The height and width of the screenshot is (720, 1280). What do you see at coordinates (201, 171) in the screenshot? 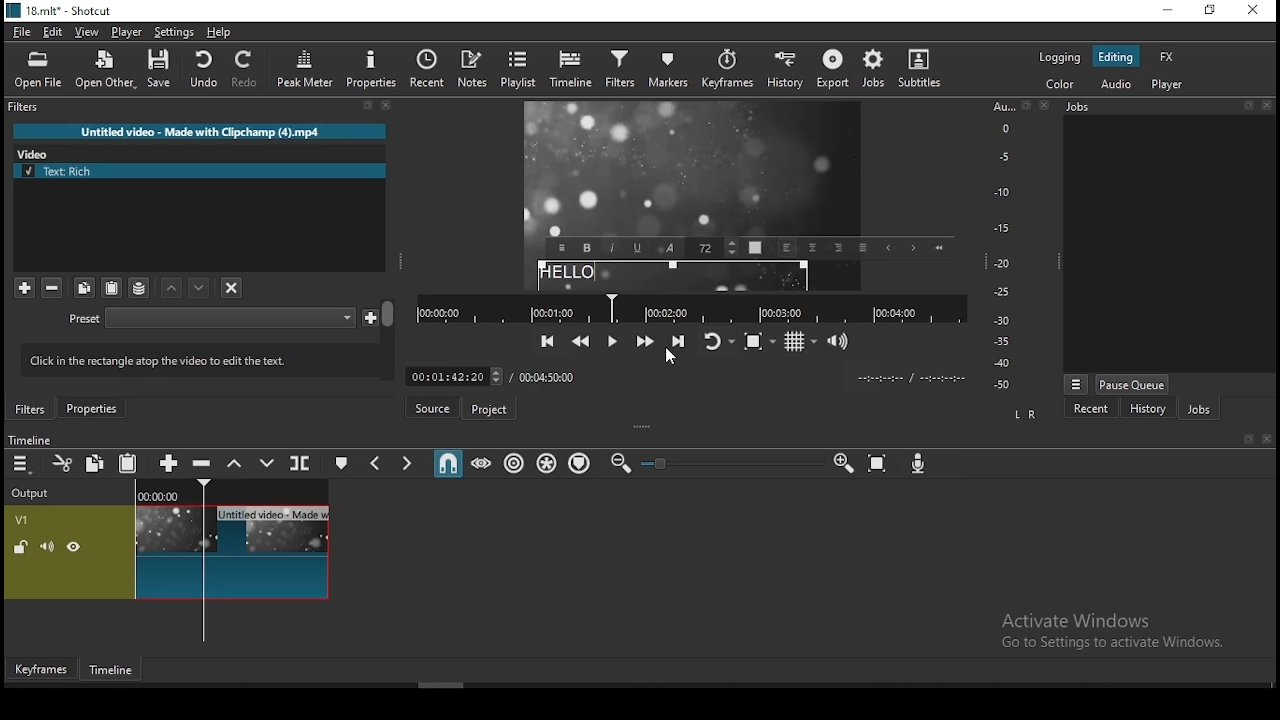
I see `text rich` at bounding box center [201, 171].